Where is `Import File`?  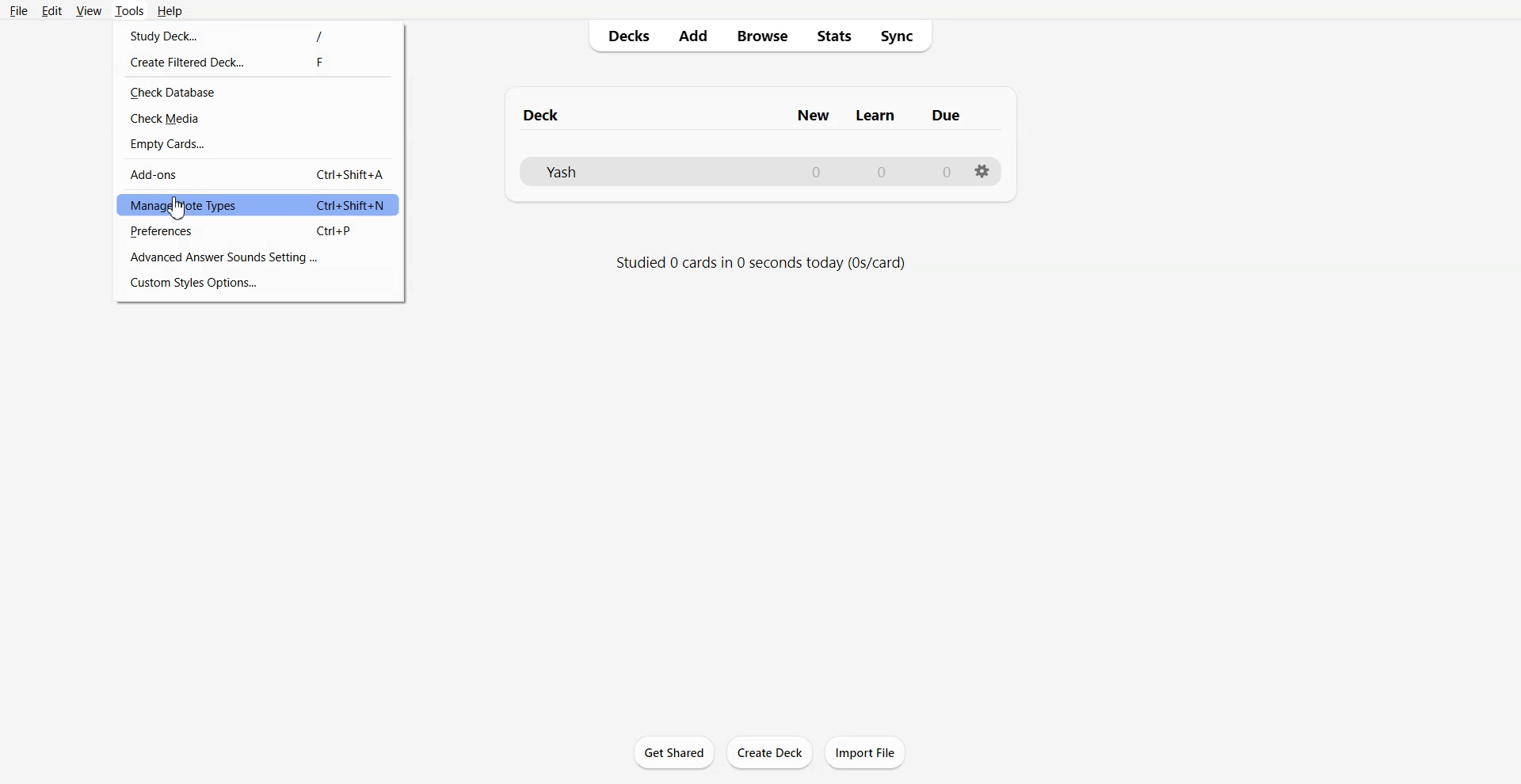
Import File is located at coordinates (865, 752).